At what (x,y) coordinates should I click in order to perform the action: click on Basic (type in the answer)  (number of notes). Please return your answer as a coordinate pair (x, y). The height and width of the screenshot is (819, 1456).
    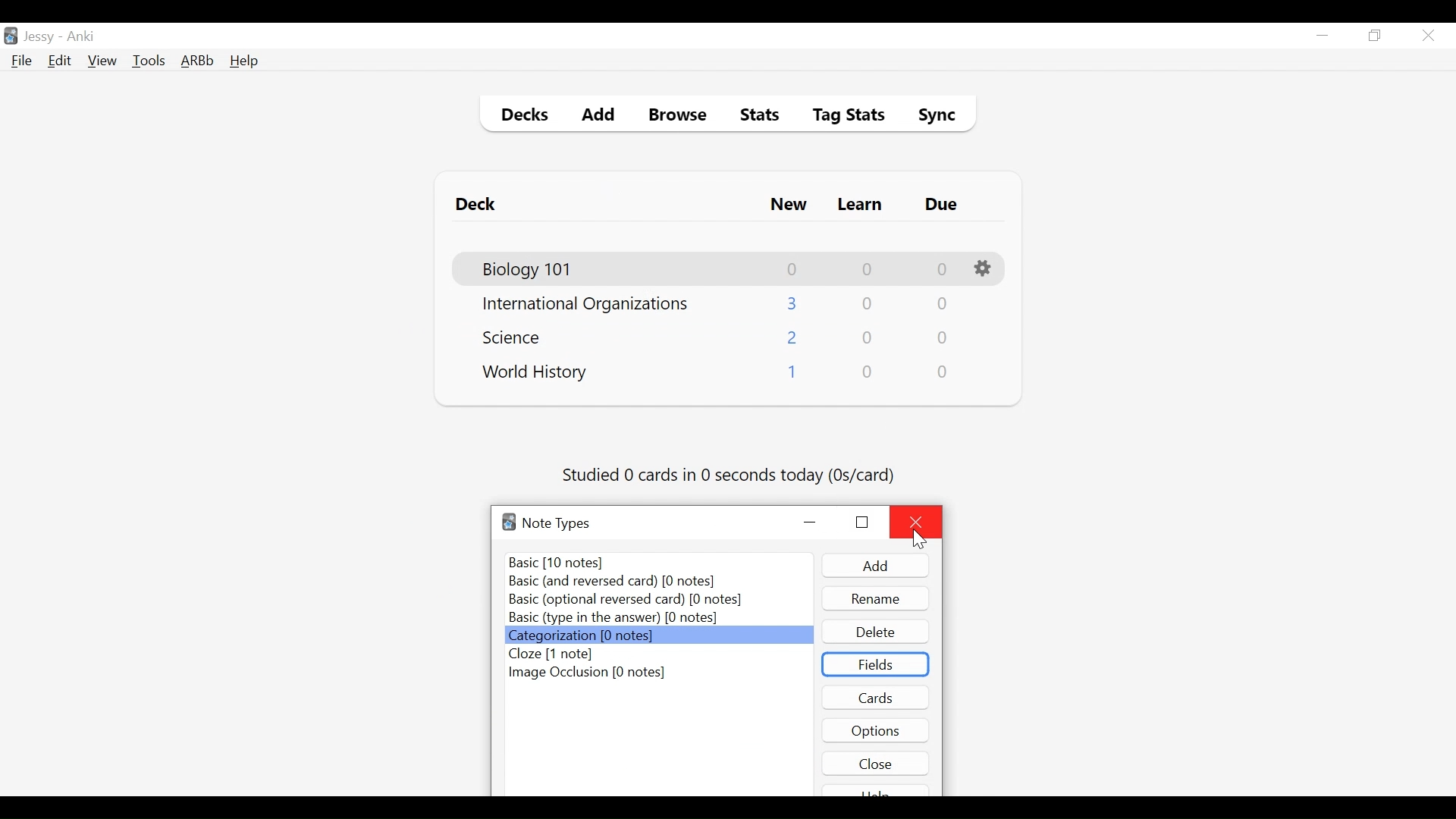
    Looking at the image, I should click on (613, 619).